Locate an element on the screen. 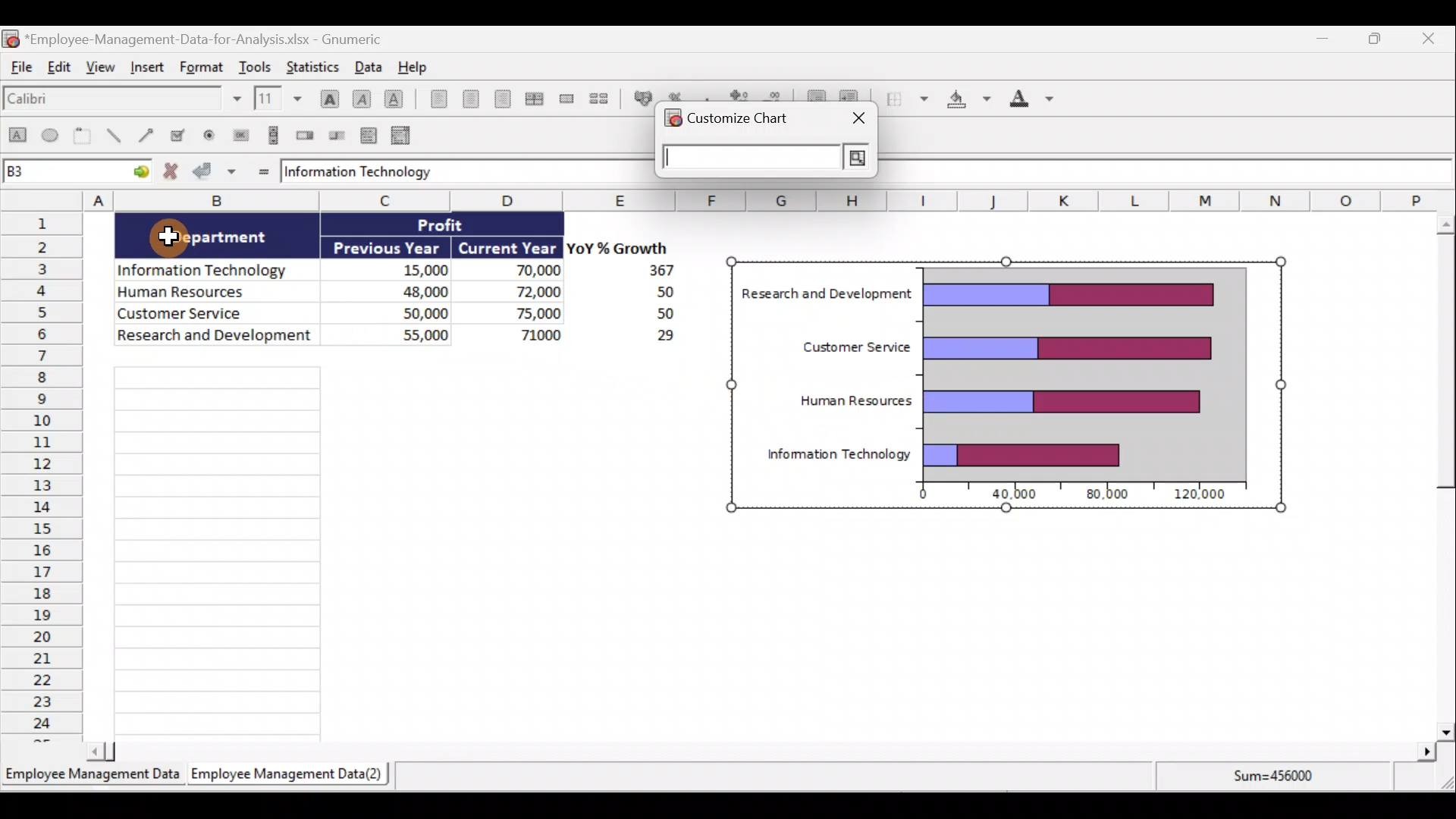 The width and height of the screenshot is (1456, 819). Align left is located at coordinates (438, 99).